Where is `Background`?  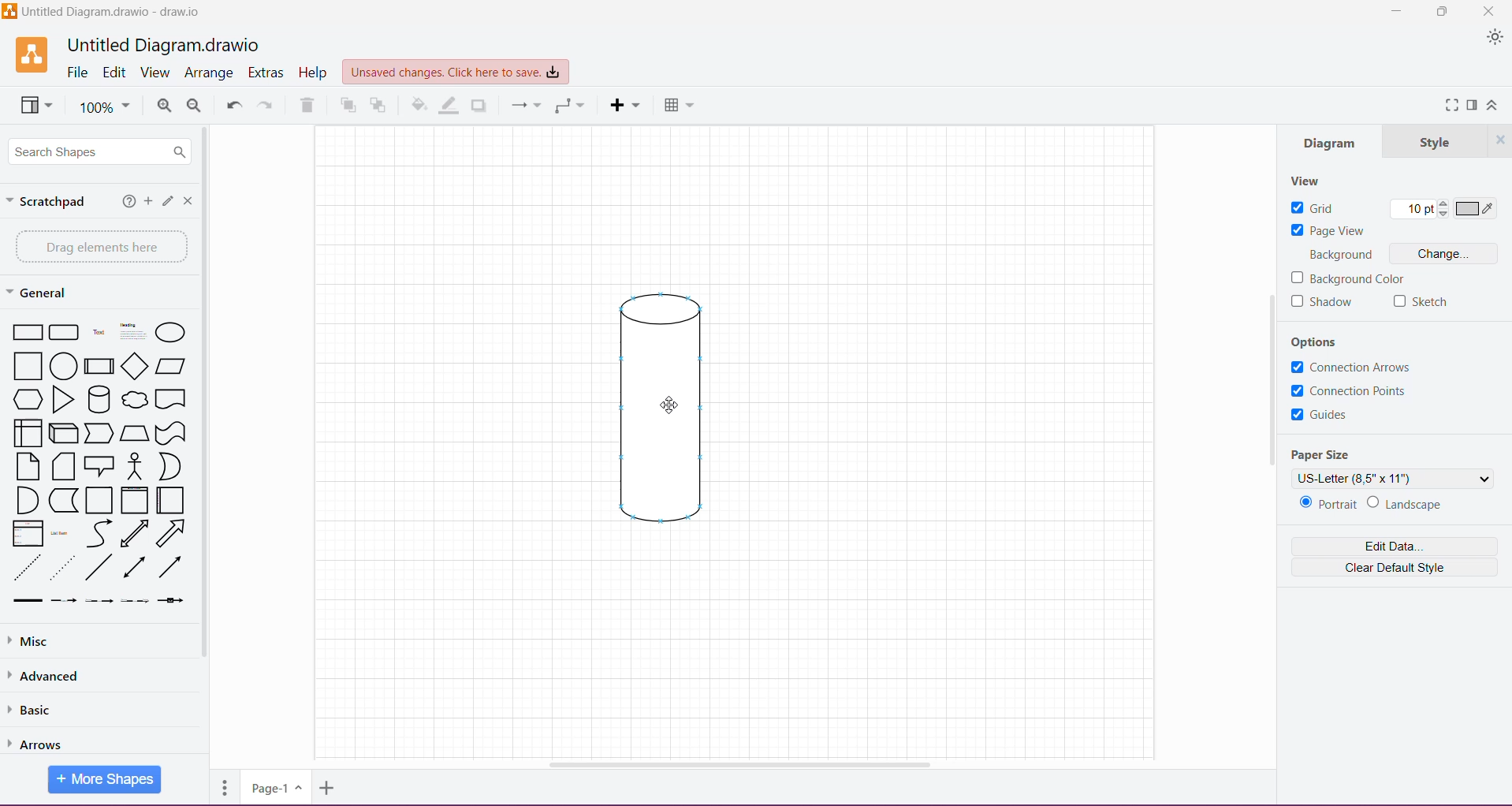
Background is located at coordinates (1342, 255).